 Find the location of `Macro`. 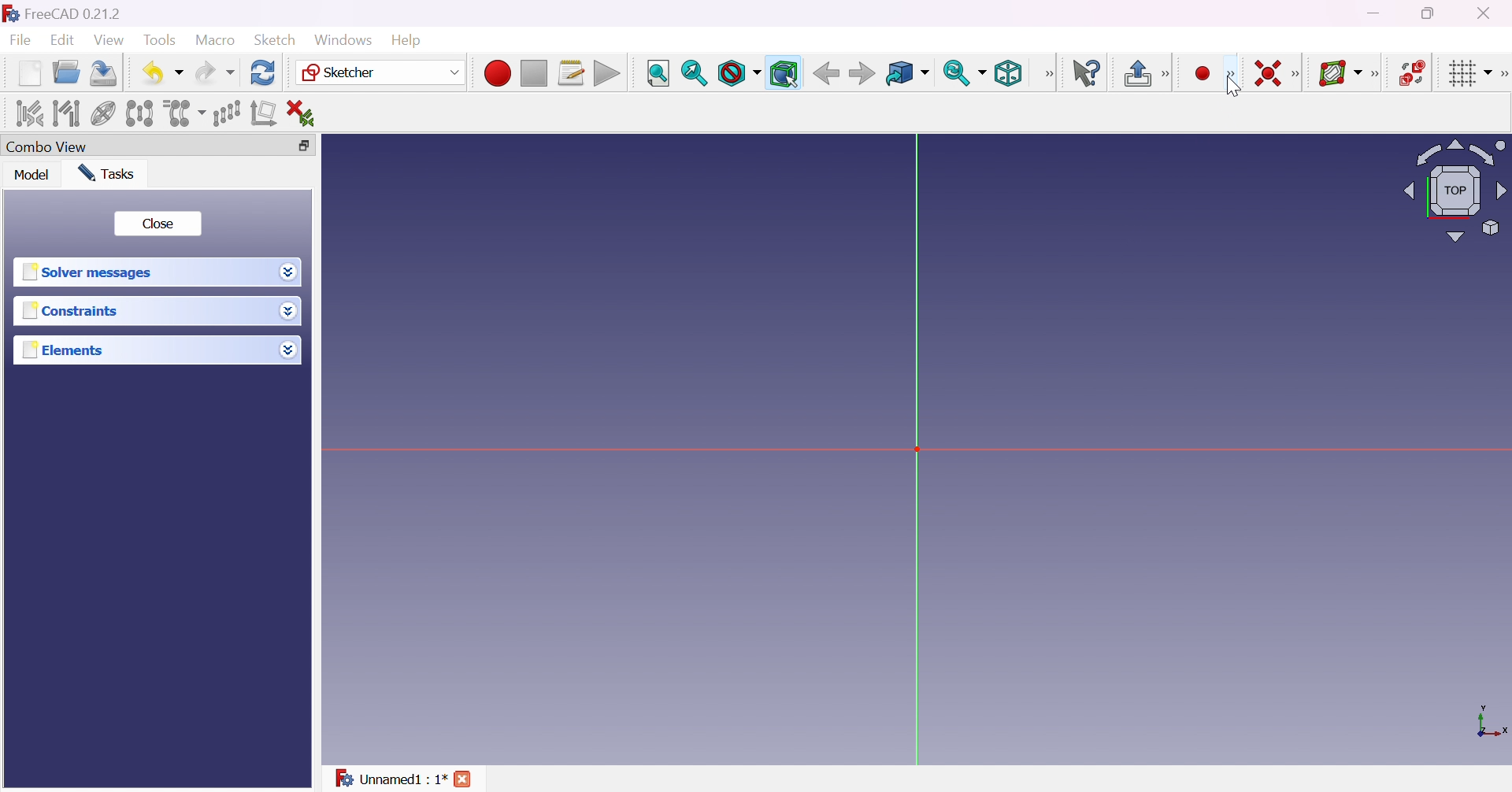

Macro is located at coordinates (216, 39).